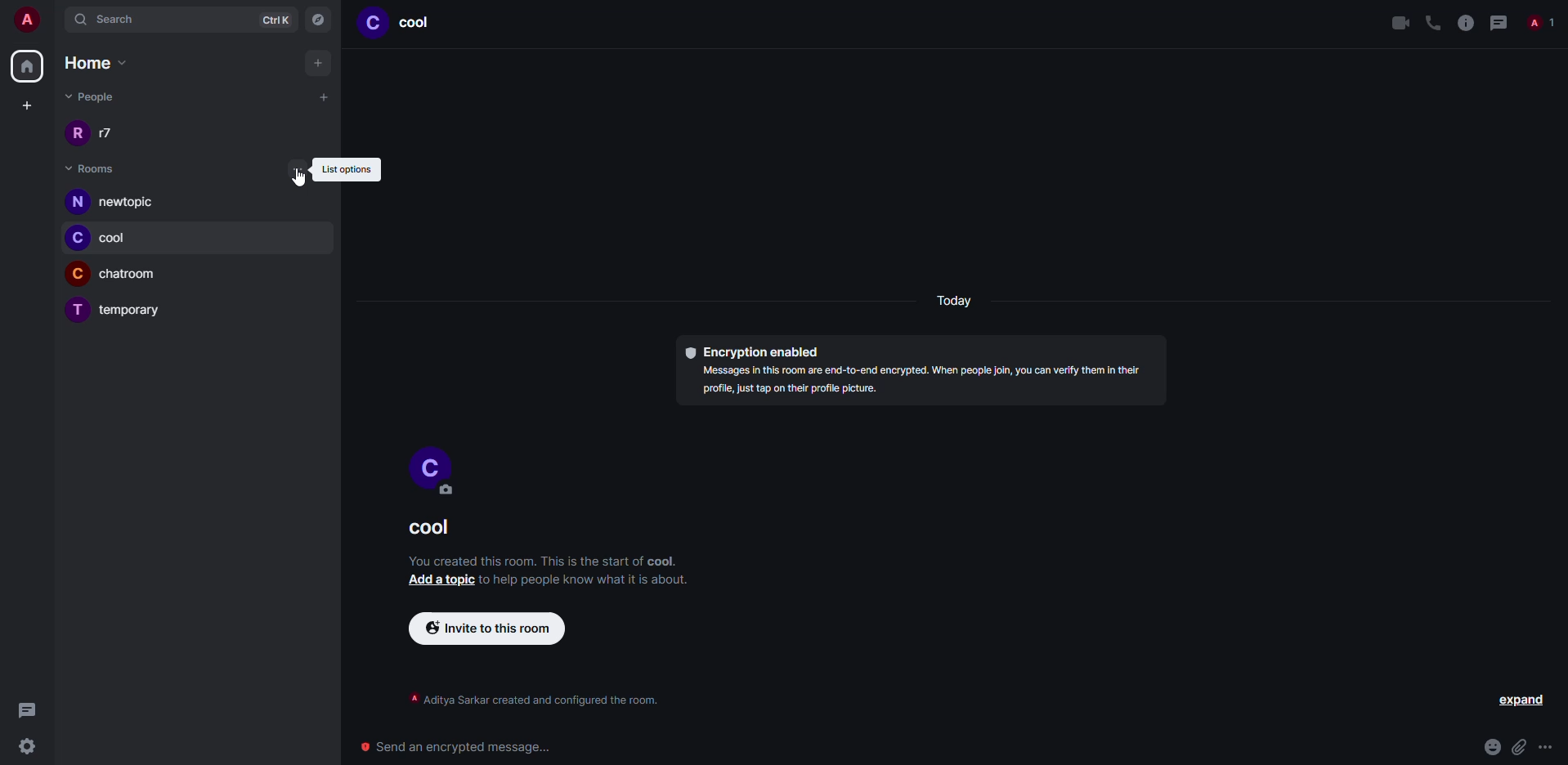 The height and width of the screenshot is (765, 1568). I want to click on people, so click(1541, 20).